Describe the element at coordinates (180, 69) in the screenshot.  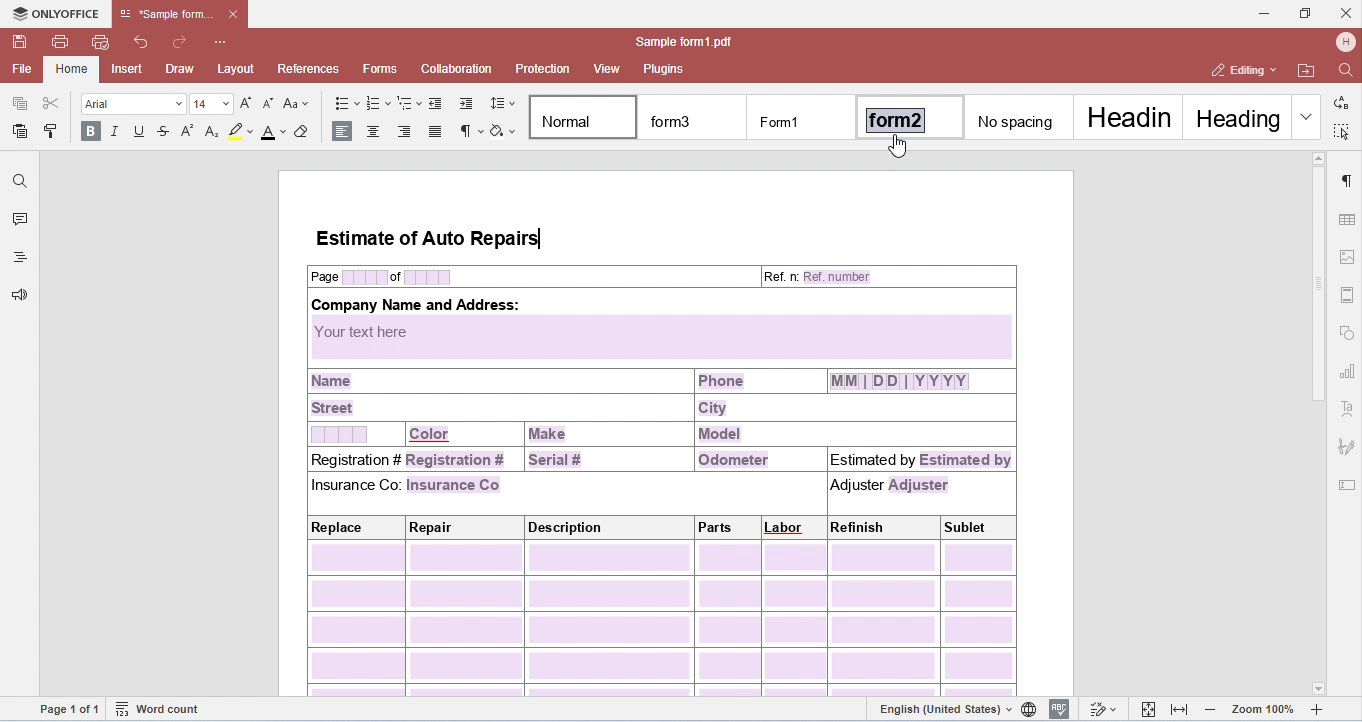
I see `draw` at that location.